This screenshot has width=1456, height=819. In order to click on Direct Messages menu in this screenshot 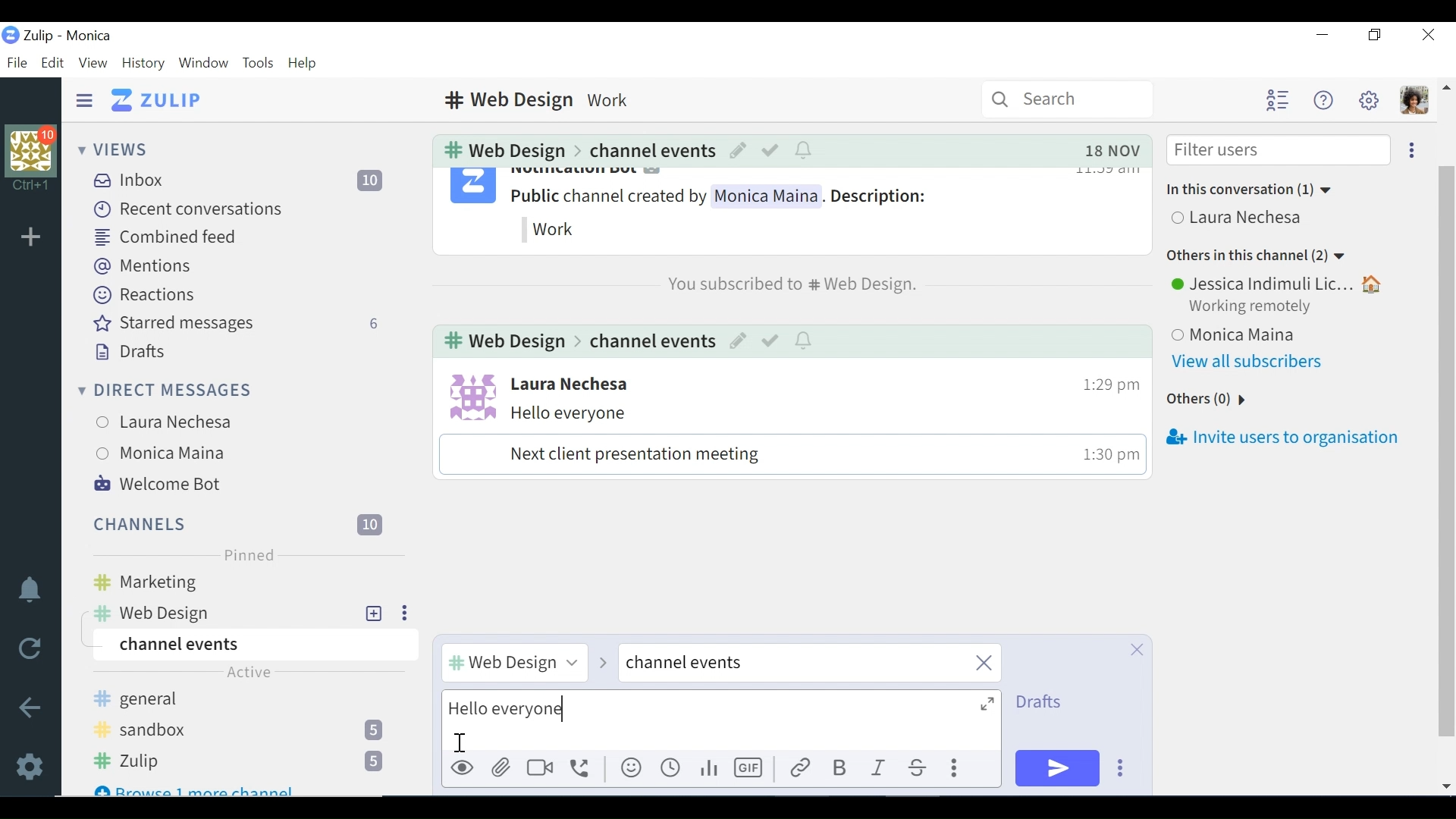, I will do `click(165, 388)`.